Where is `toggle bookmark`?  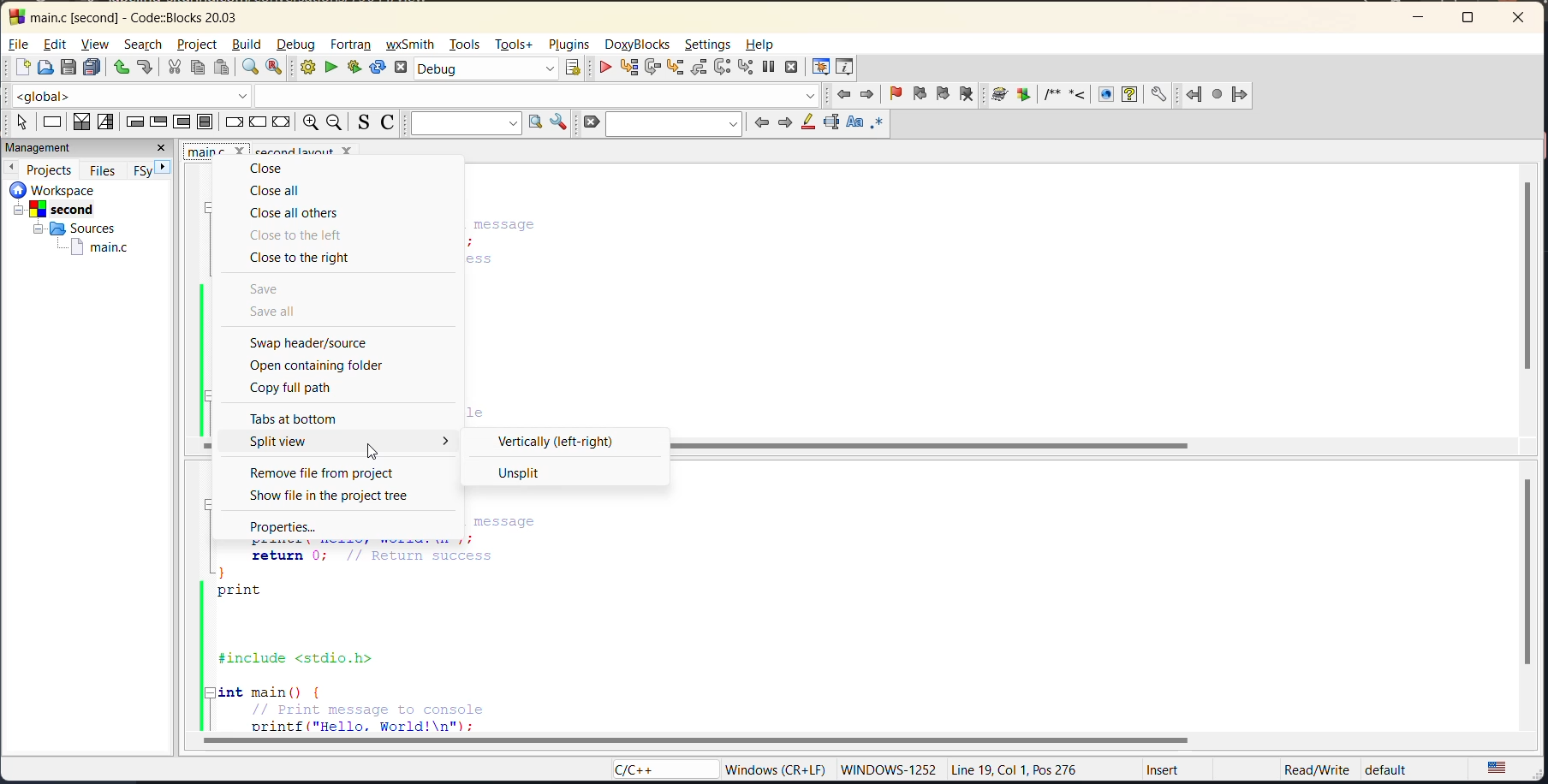
toggle bookmark is located at coordinates (896, 94).